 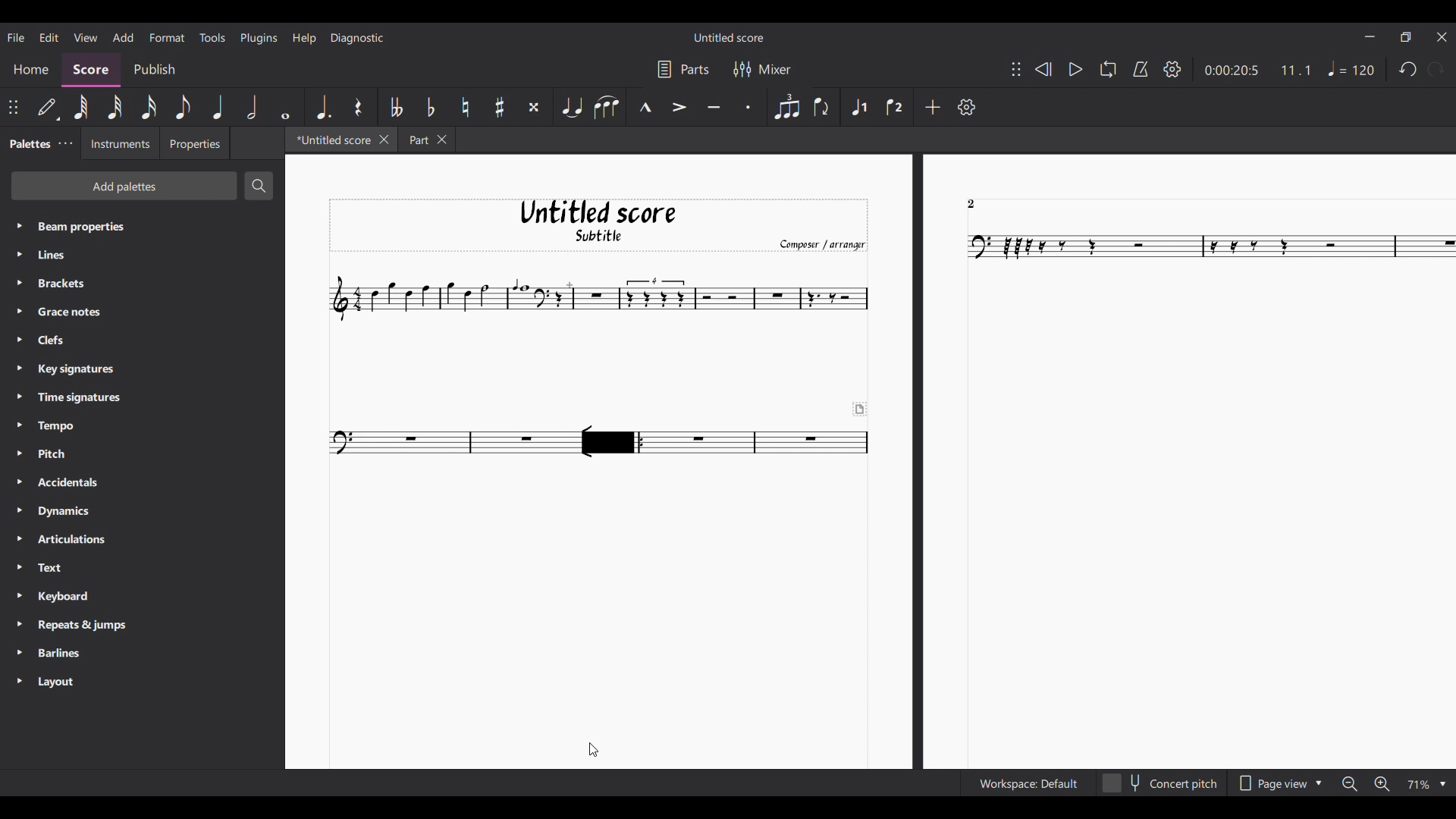 I want to click on Highlighted due to current selection, so click(x=858, y=108).